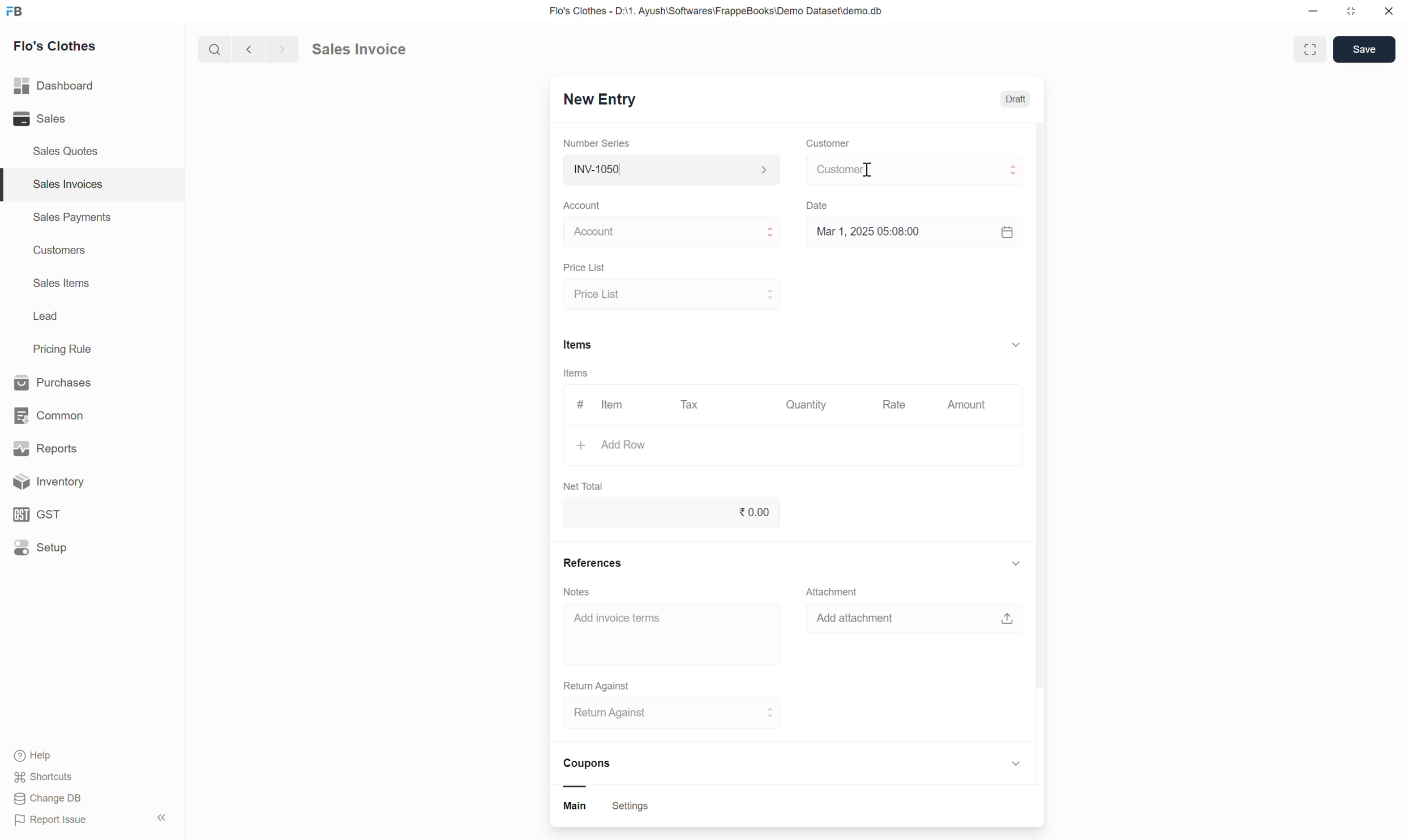 The width and height of the screenshot is (1408, 840). I want to click on Items, so click(576, 375).